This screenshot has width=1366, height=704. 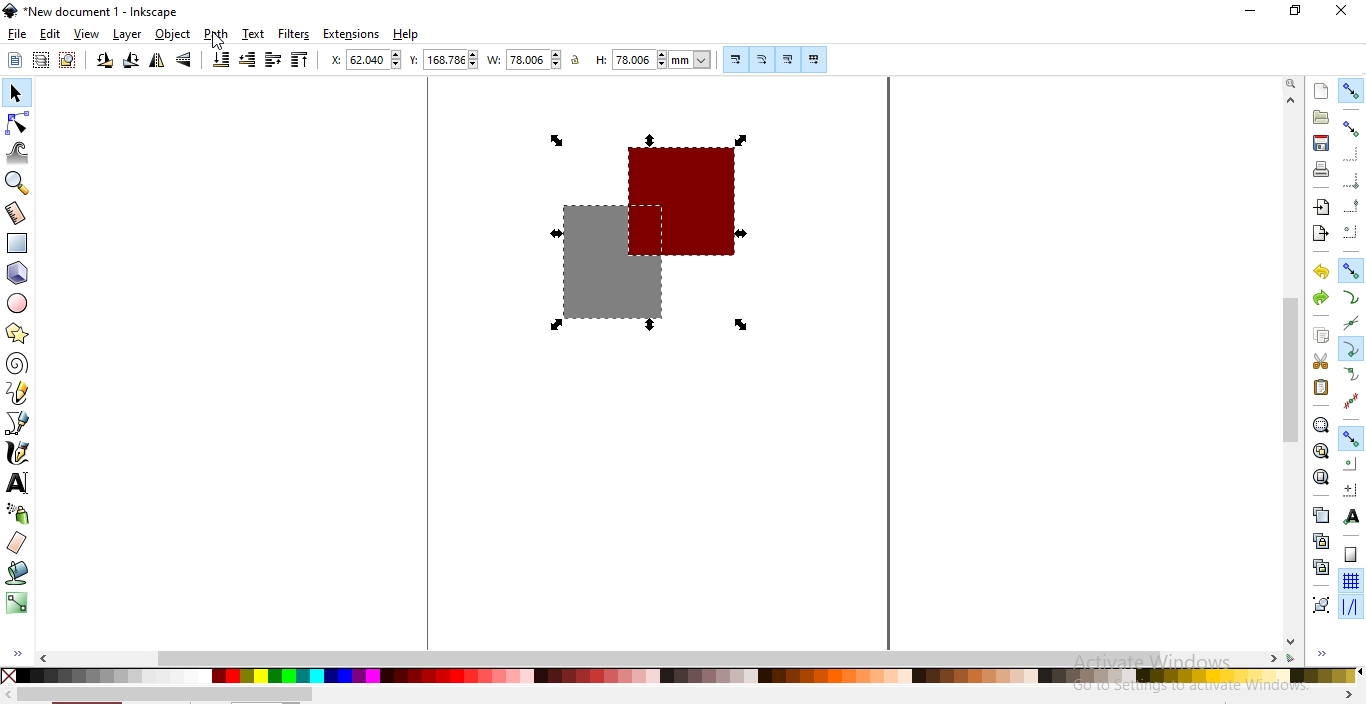 I want to click on object, so click(x=173, y=34).